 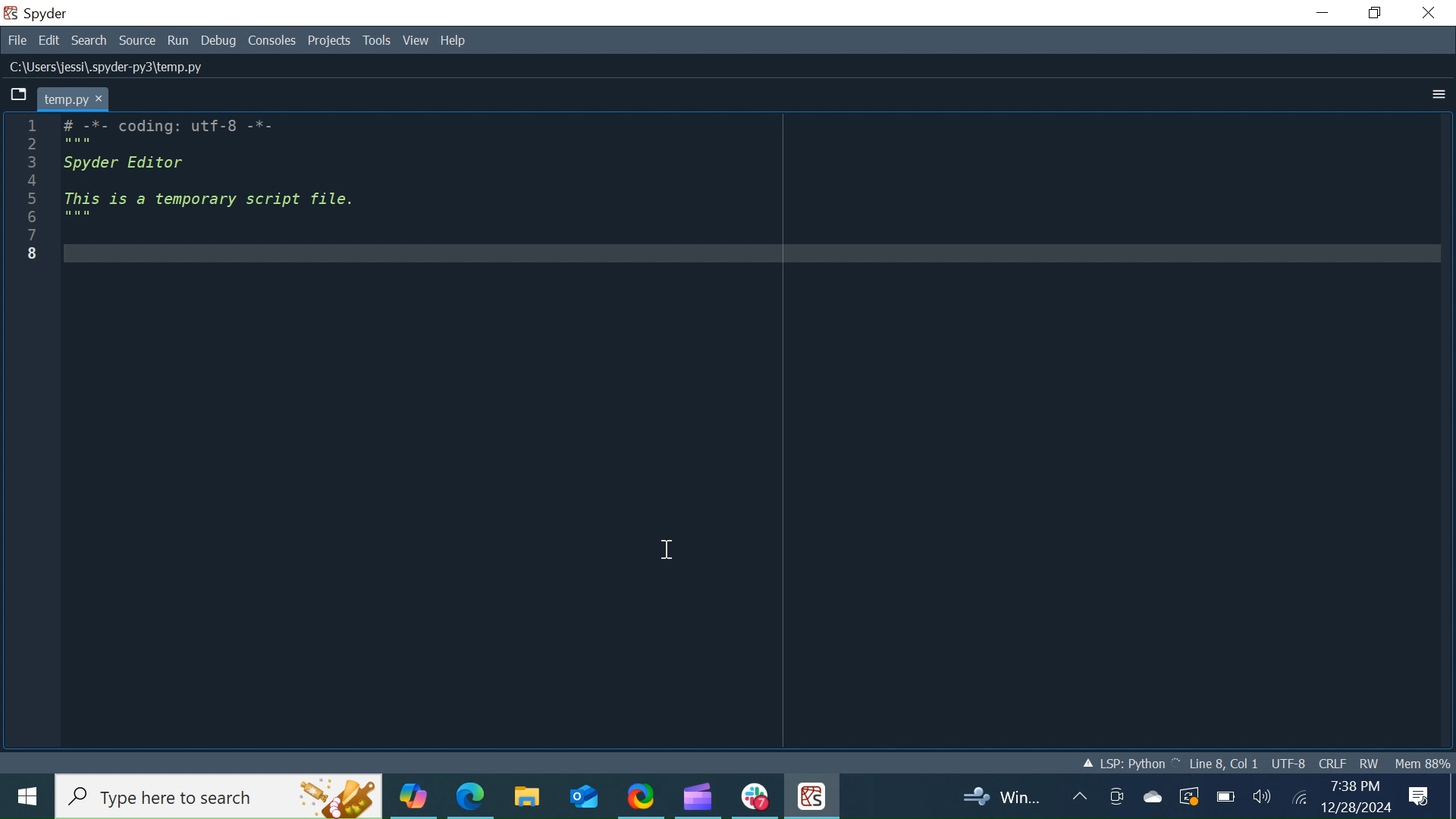 I want to click on File Path, so click(x=108, y=67).